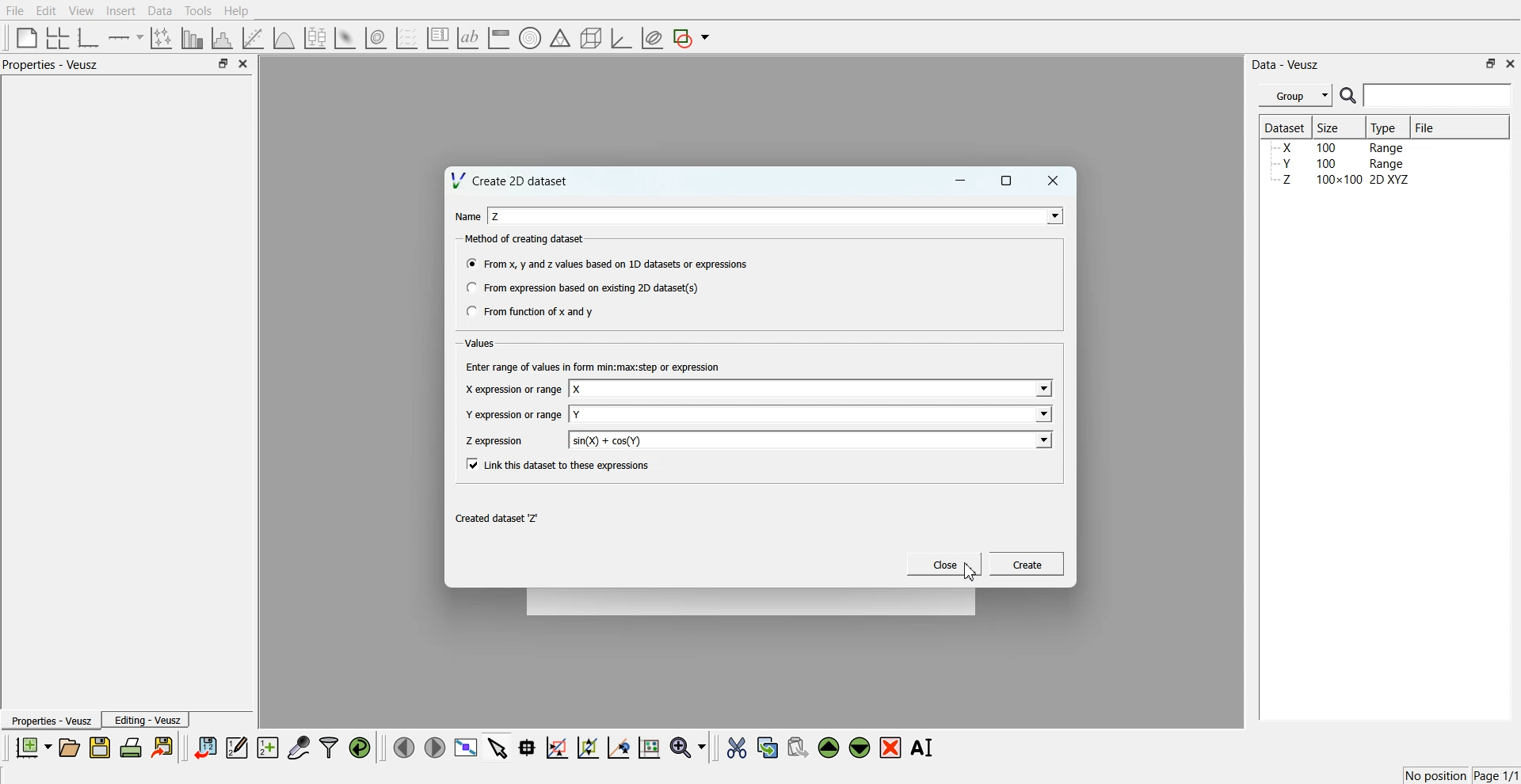 The image size is (1521, 784). I want to click on Z 100x100 2D XYZ, so click(1343, 180).